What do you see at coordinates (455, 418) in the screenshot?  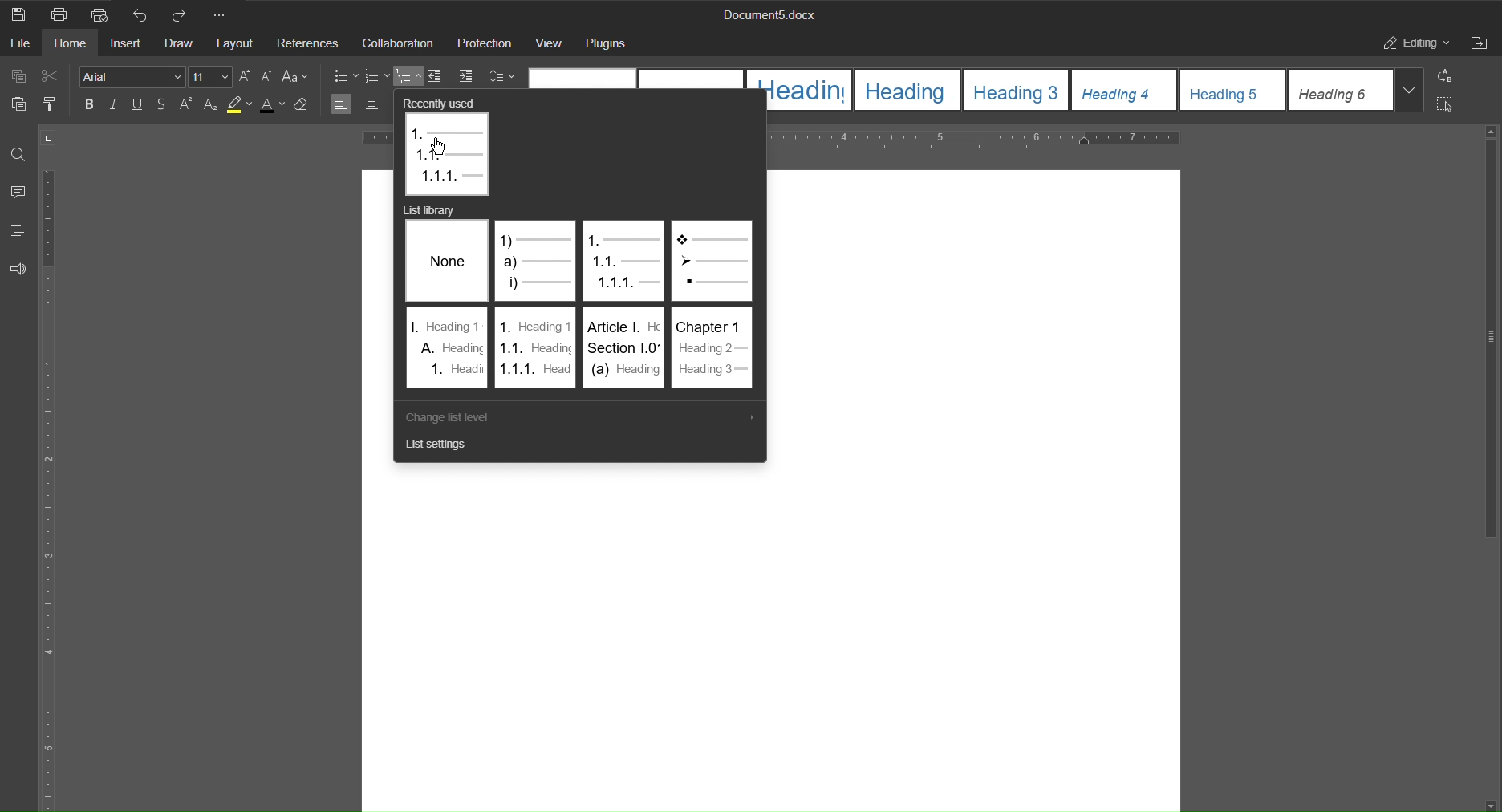 I see `Change list level` at bounding box center [455, 418].